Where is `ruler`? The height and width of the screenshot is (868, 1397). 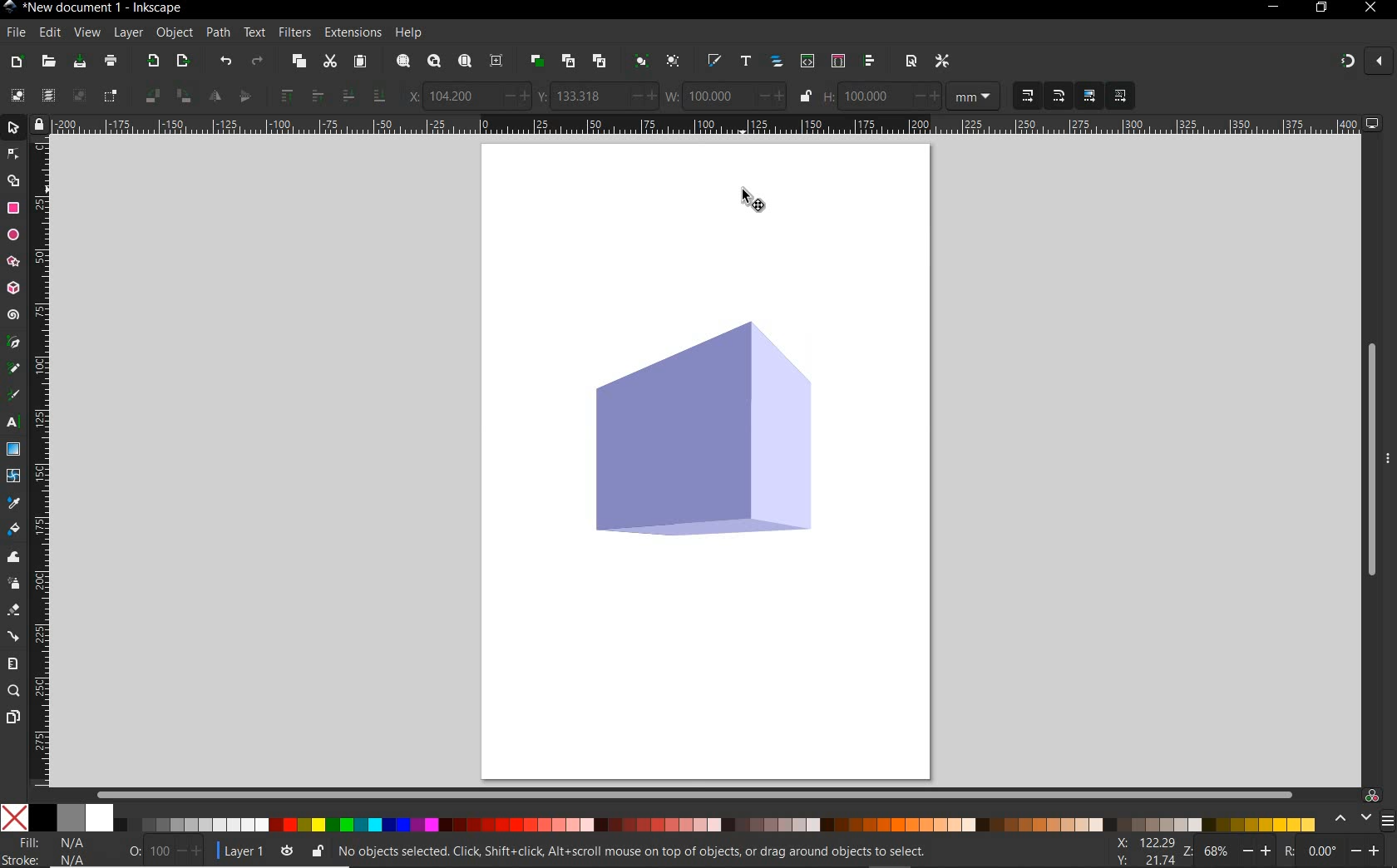 ruler is located at coordinates (42, 461).